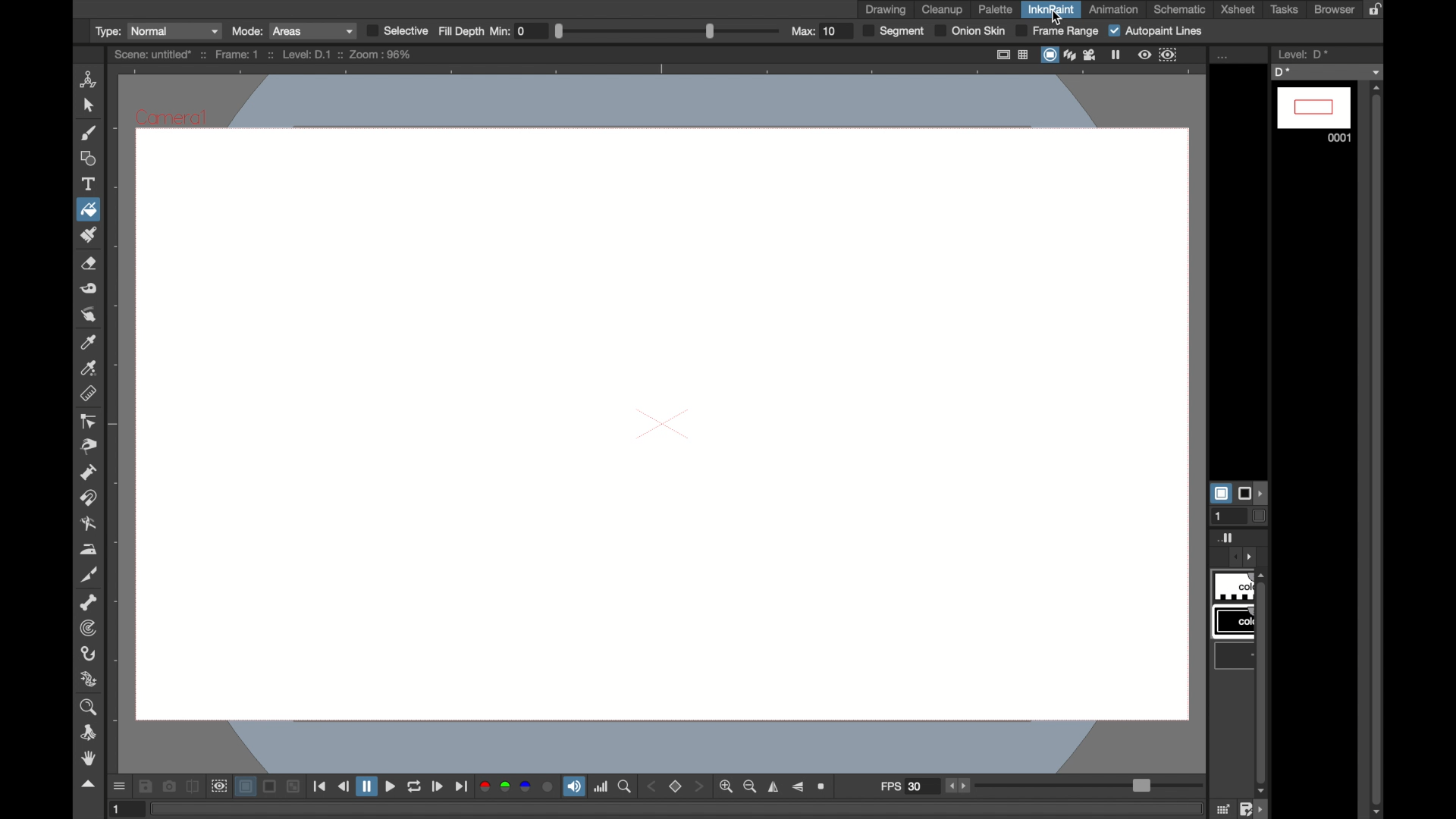  What do you see at coordinates (415, 787) in the screenshot?
I see `refresh` at bounding box center [415, 787].